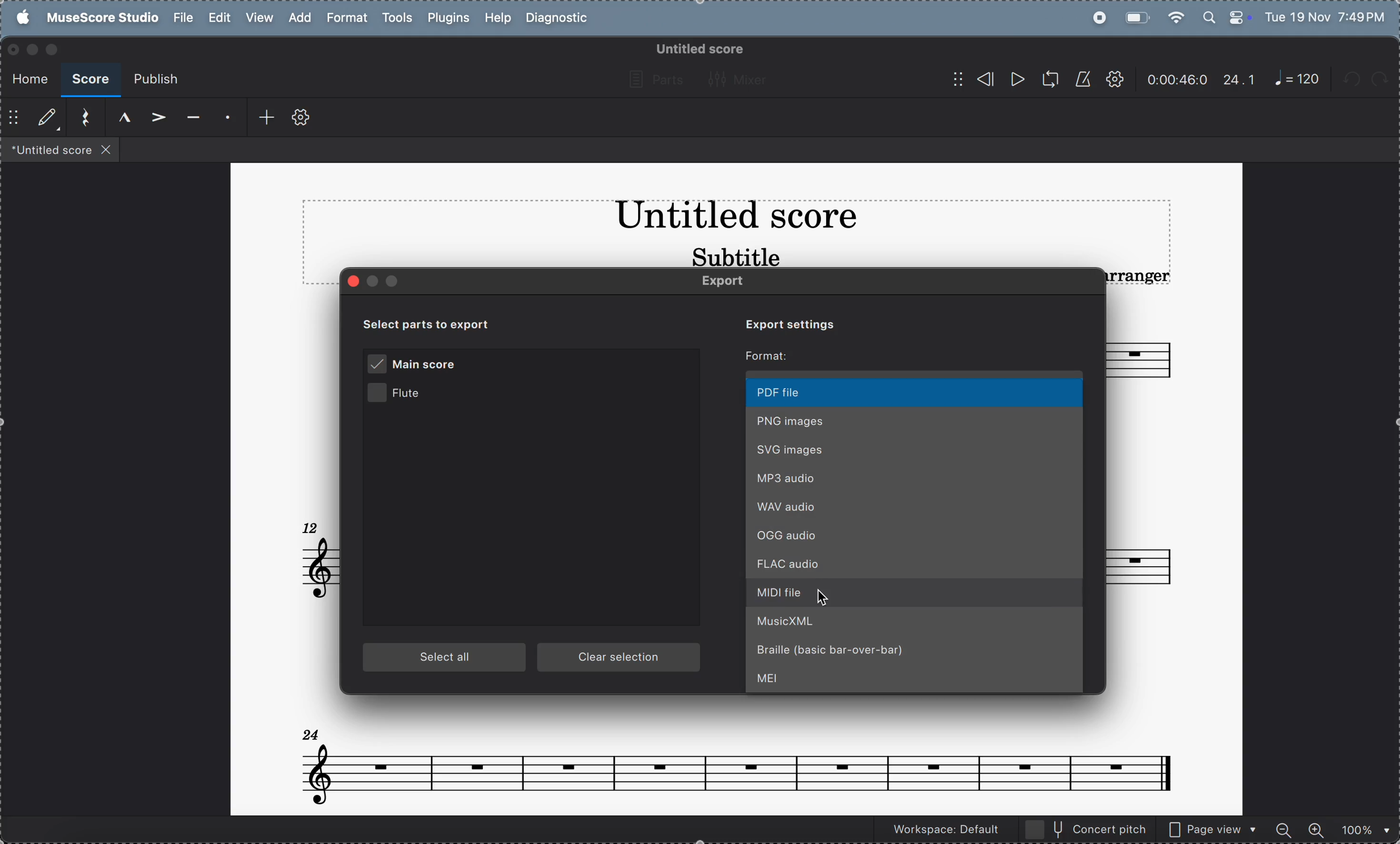 This screenshot has width=1400, height=844. Describe the element at coordinates (259, 18) in the screenshot. I see `view` at that location.